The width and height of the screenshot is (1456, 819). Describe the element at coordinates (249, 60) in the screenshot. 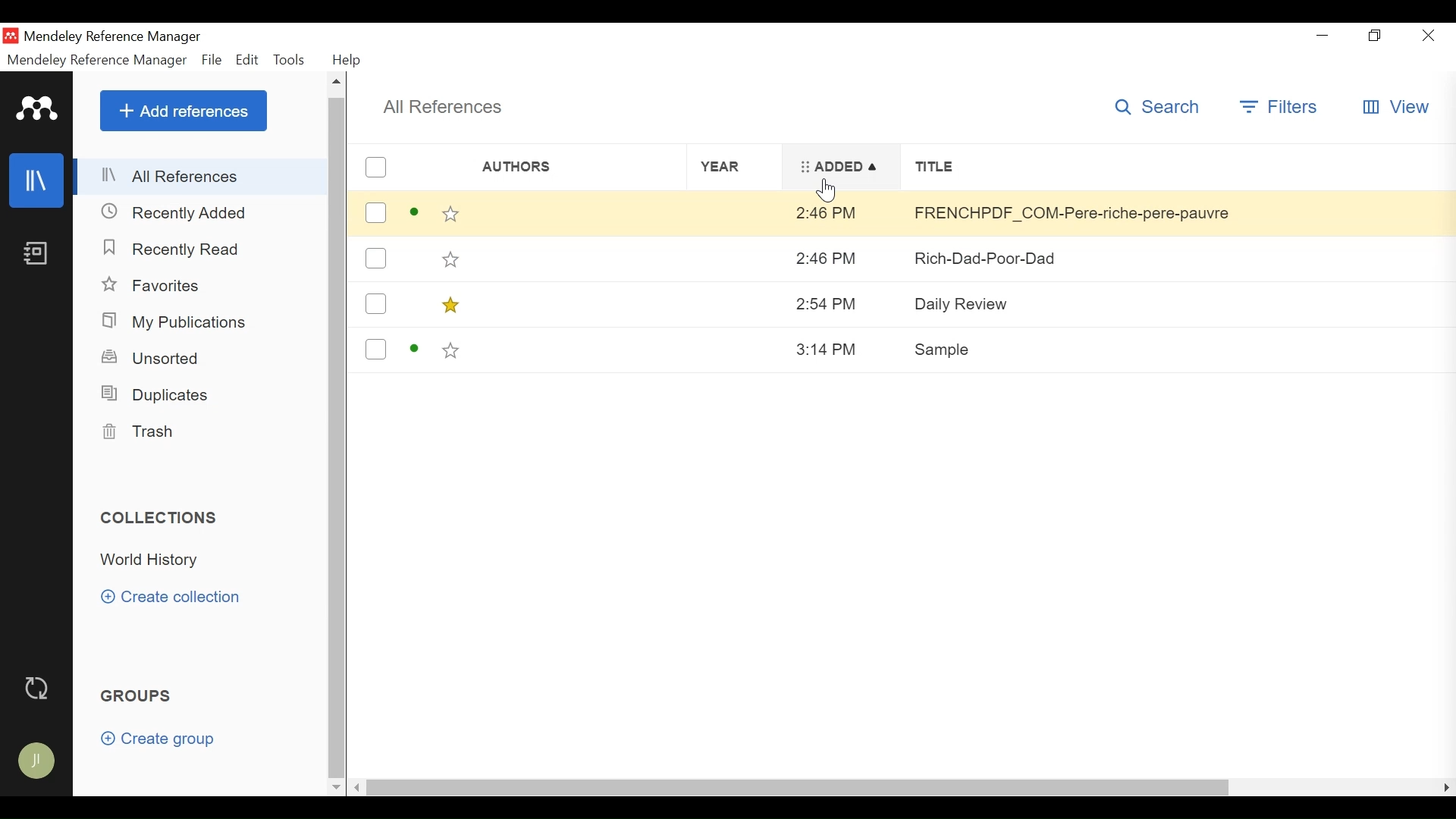

I see `Edit` at that location.